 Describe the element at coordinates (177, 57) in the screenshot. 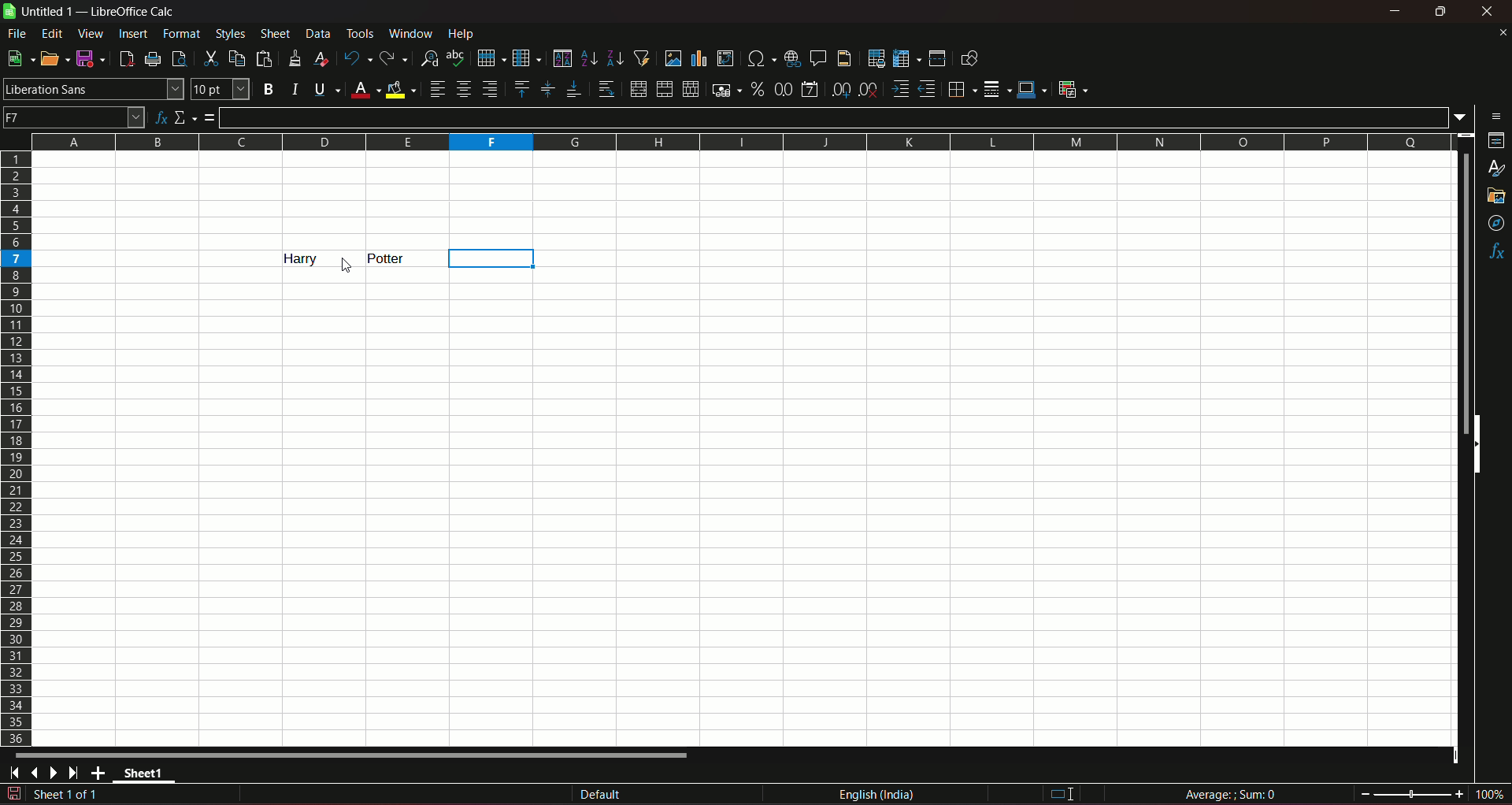

I see `toggle print preview` at that location.